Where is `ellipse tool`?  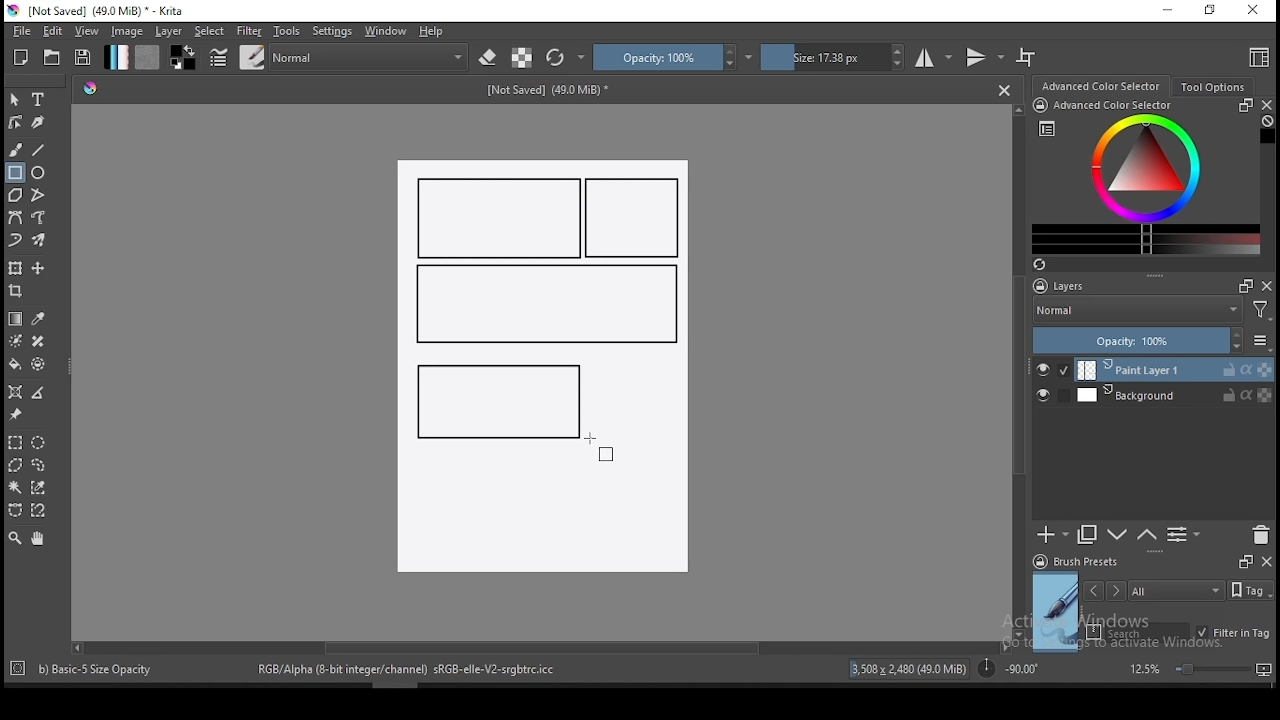 ellipse tool is located at coordinates (39, 171).